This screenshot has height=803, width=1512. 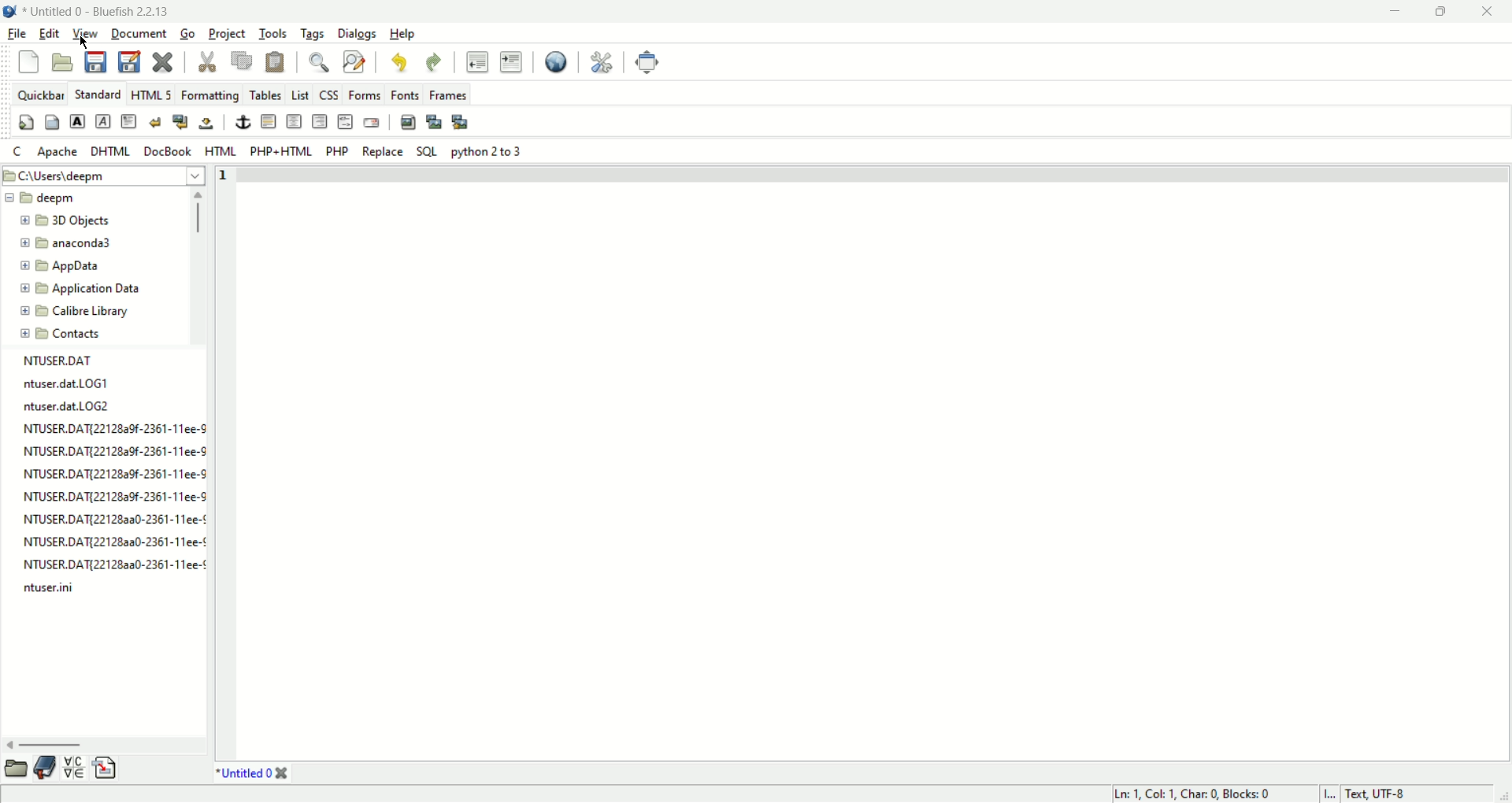 I want to click on snippets, so click(x=105, y=768).